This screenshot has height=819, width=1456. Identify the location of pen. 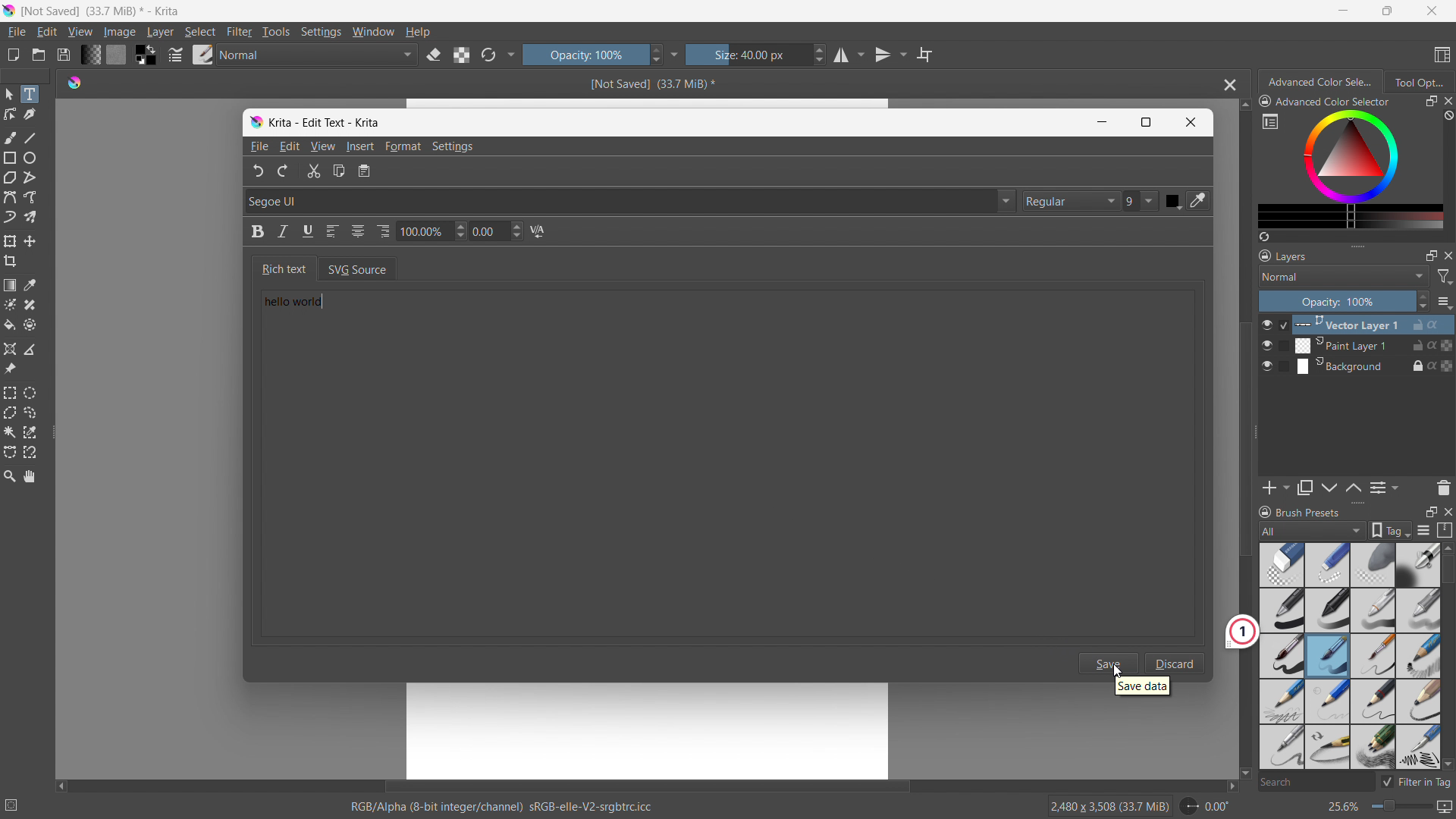
(1328, 610).